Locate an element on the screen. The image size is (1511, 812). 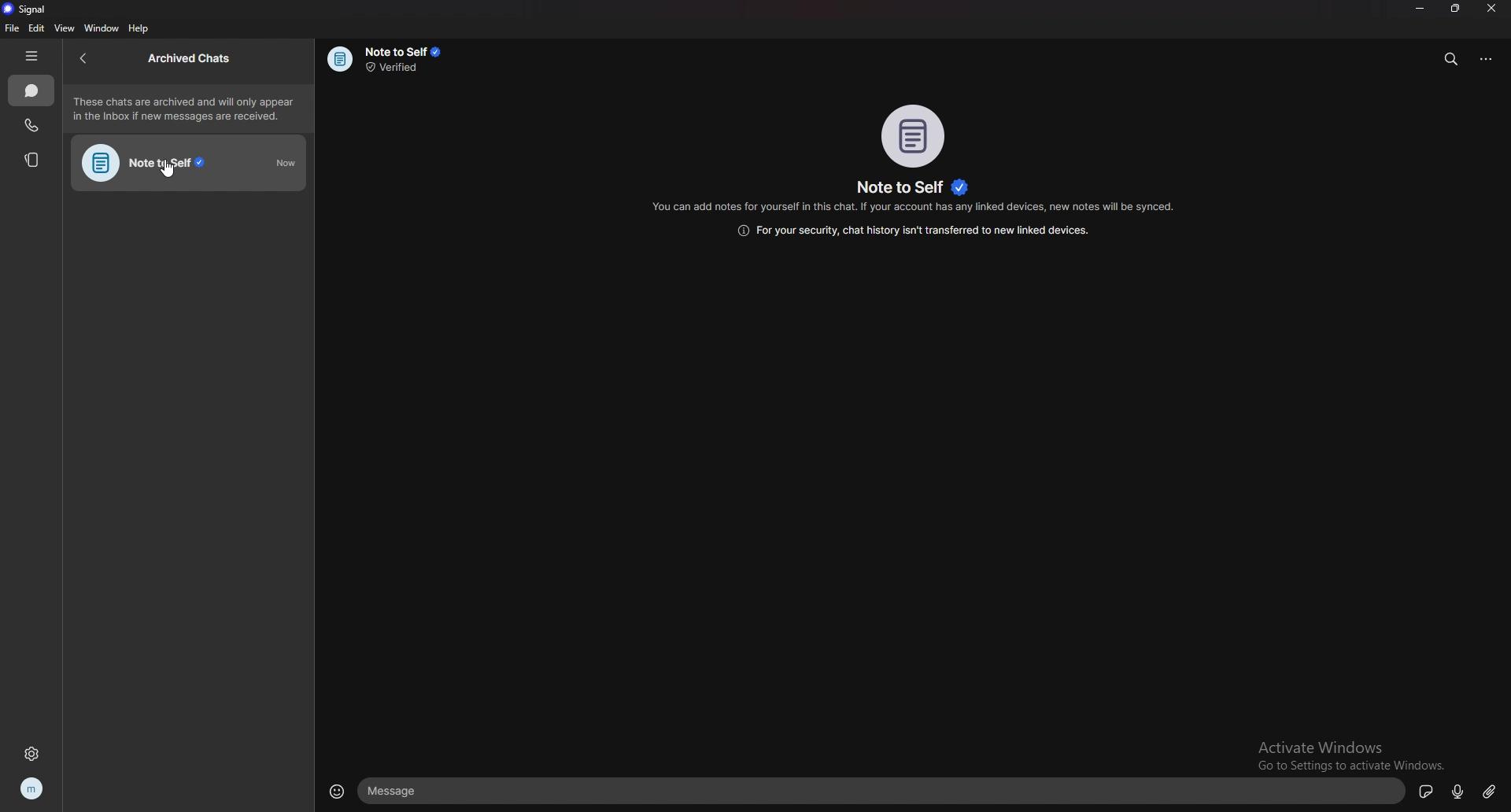
resize is located at coordinates (1457, 8).